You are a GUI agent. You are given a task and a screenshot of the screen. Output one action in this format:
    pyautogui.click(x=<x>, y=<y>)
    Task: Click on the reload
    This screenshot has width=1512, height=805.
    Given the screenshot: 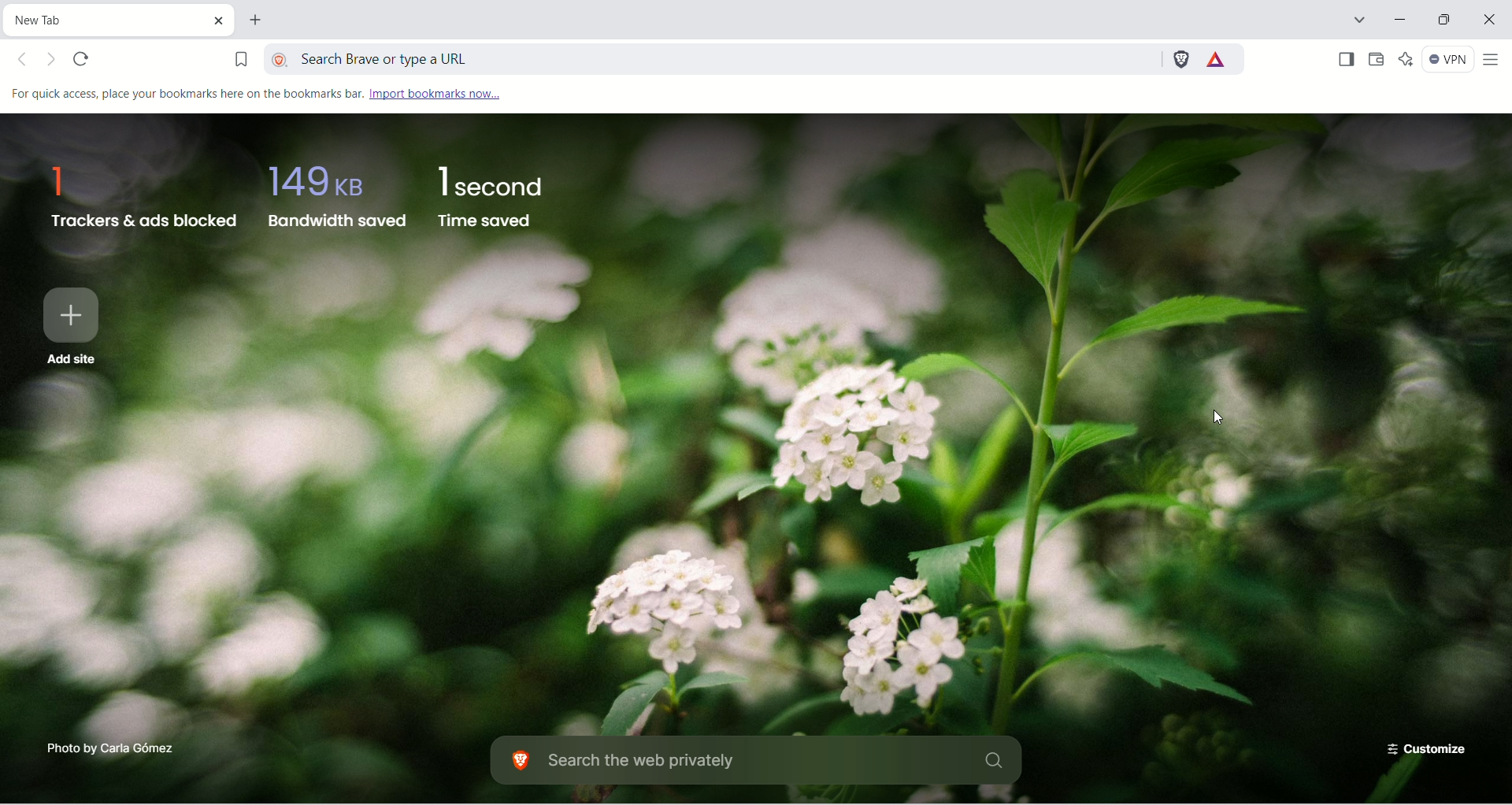 What is the action you would take?
    pyautogui.click(x=81, y=56)
    